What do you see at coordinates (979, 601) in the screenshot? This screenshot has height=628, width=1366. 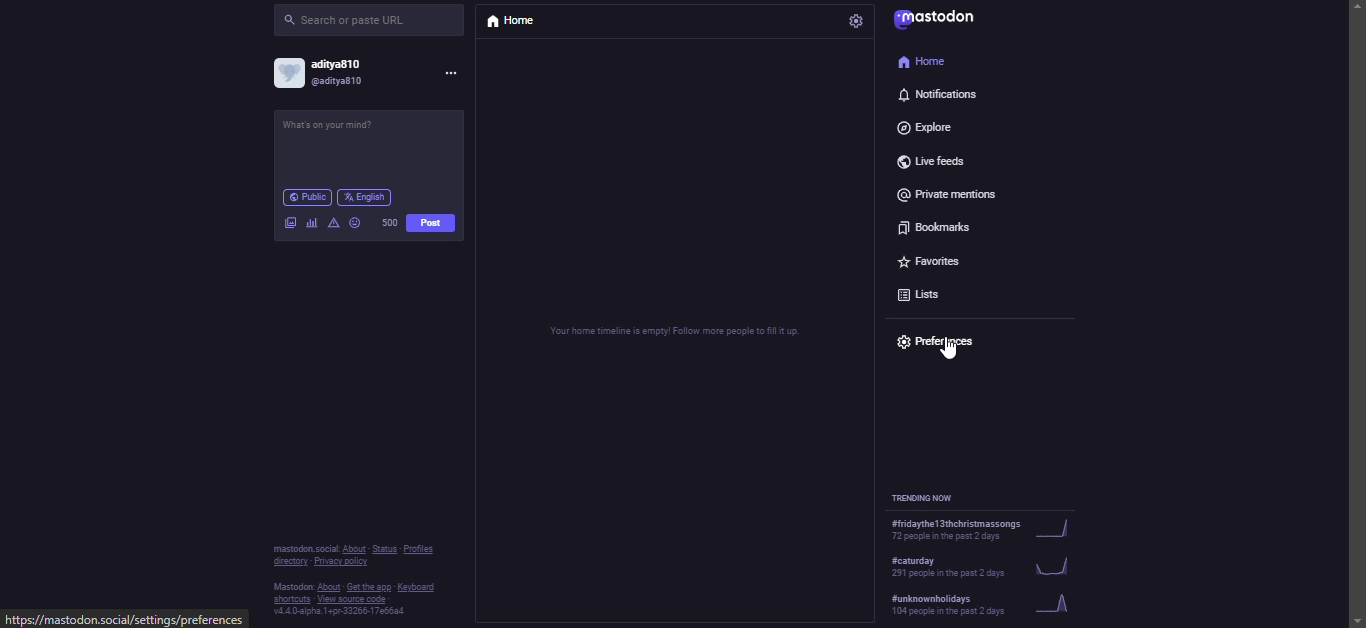 I see `trending` at bounding box center [979, 601].